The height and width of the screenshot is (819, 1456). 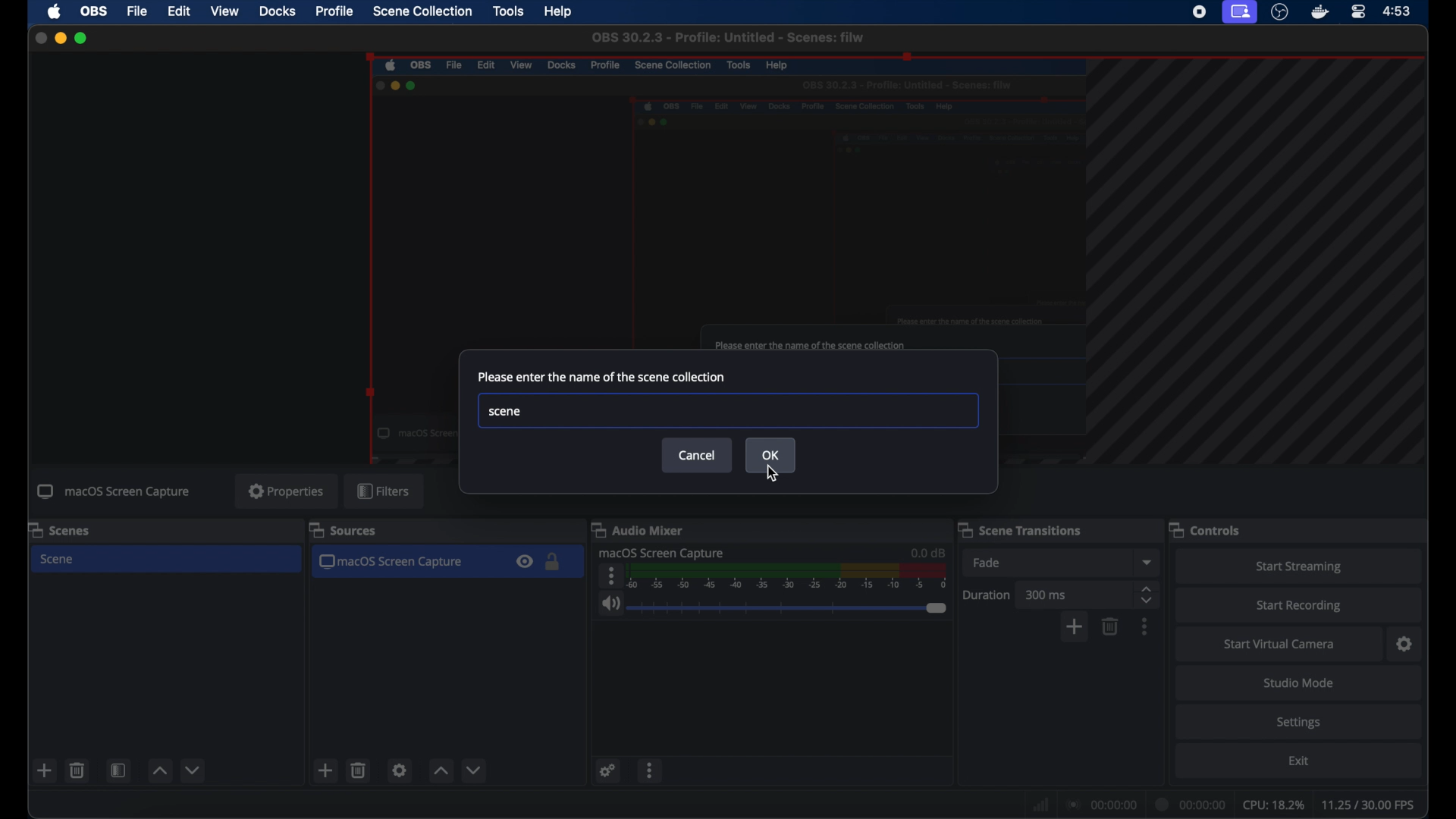 I want to click on ok, so click(x=771, y=455).